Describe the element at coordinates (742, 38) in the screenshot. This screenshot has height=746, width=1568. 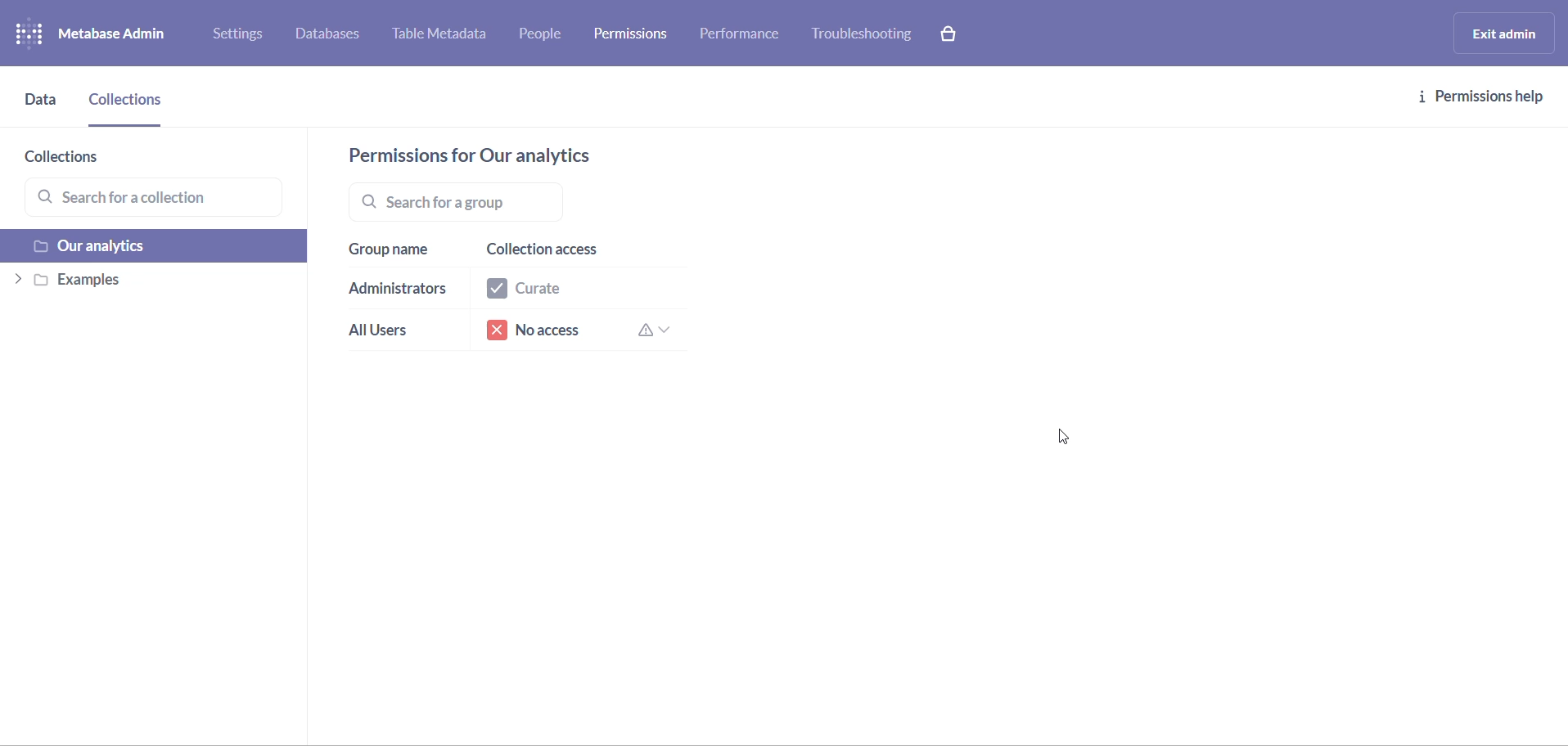
I see `performance` at that location.